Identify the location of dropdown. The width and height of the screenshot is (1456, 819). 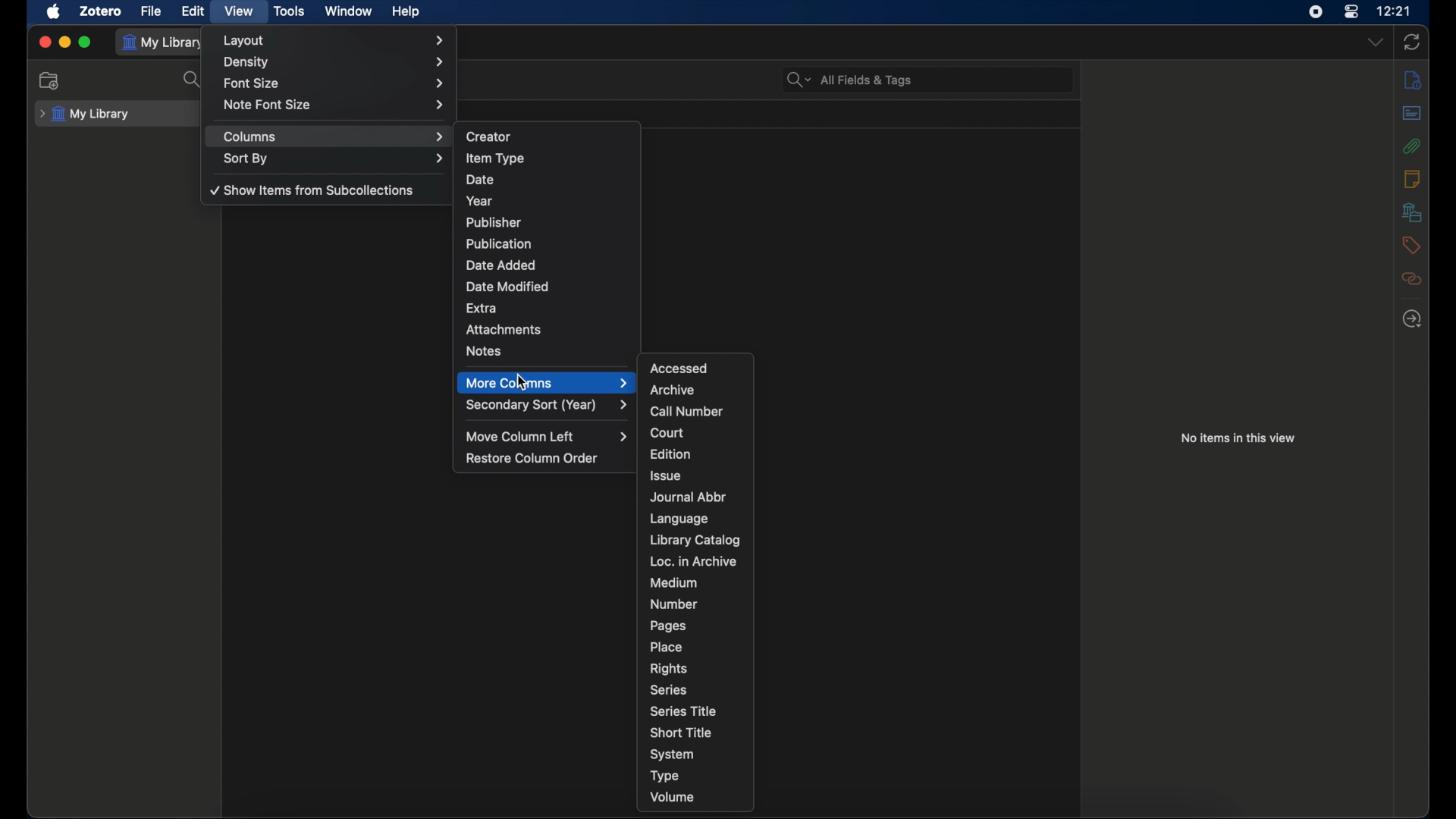
(1377, 42).